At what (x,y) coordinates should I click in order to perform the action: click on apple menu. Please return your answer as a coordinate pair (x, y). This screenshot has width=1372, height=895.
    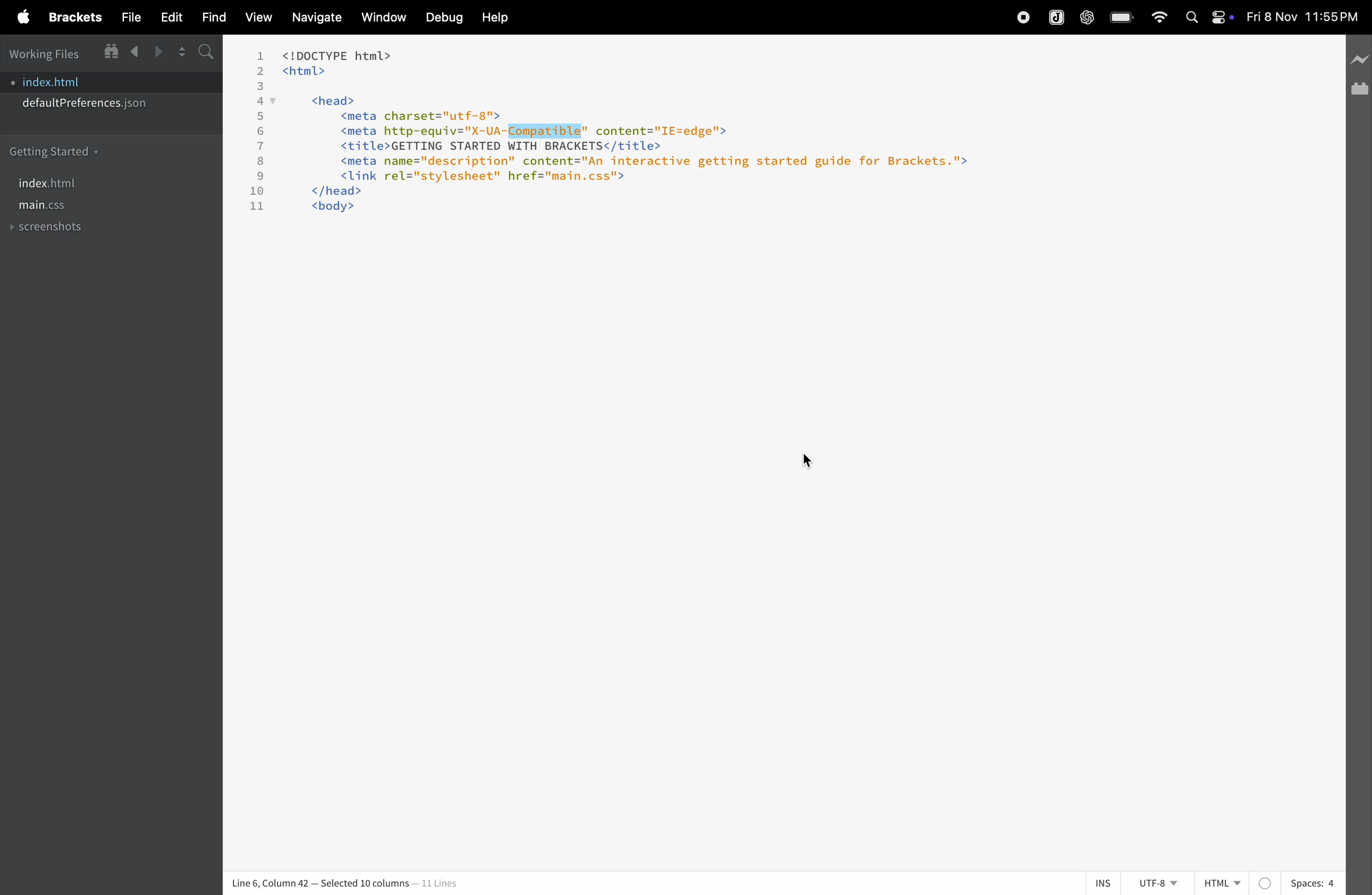
    Looking at the image, I should click on (22, 17).